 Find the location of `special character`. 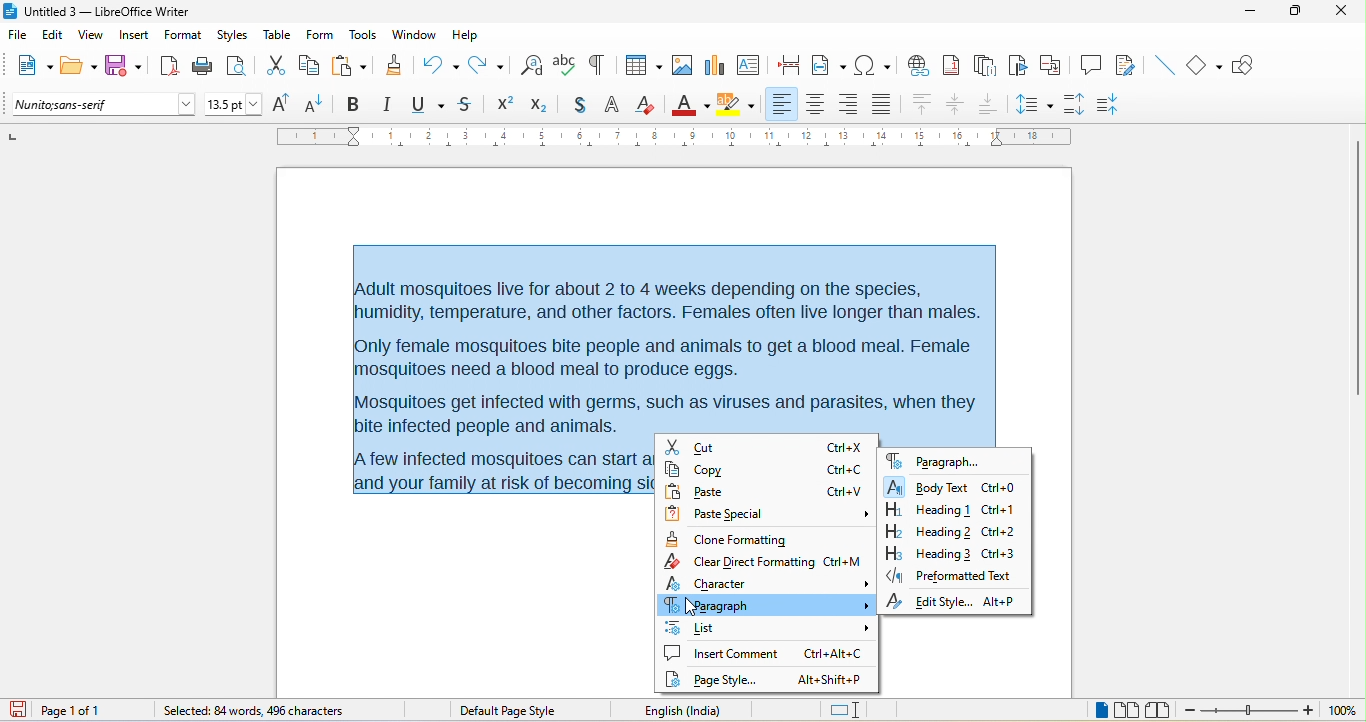

special character is located at coordinates (872, 64).